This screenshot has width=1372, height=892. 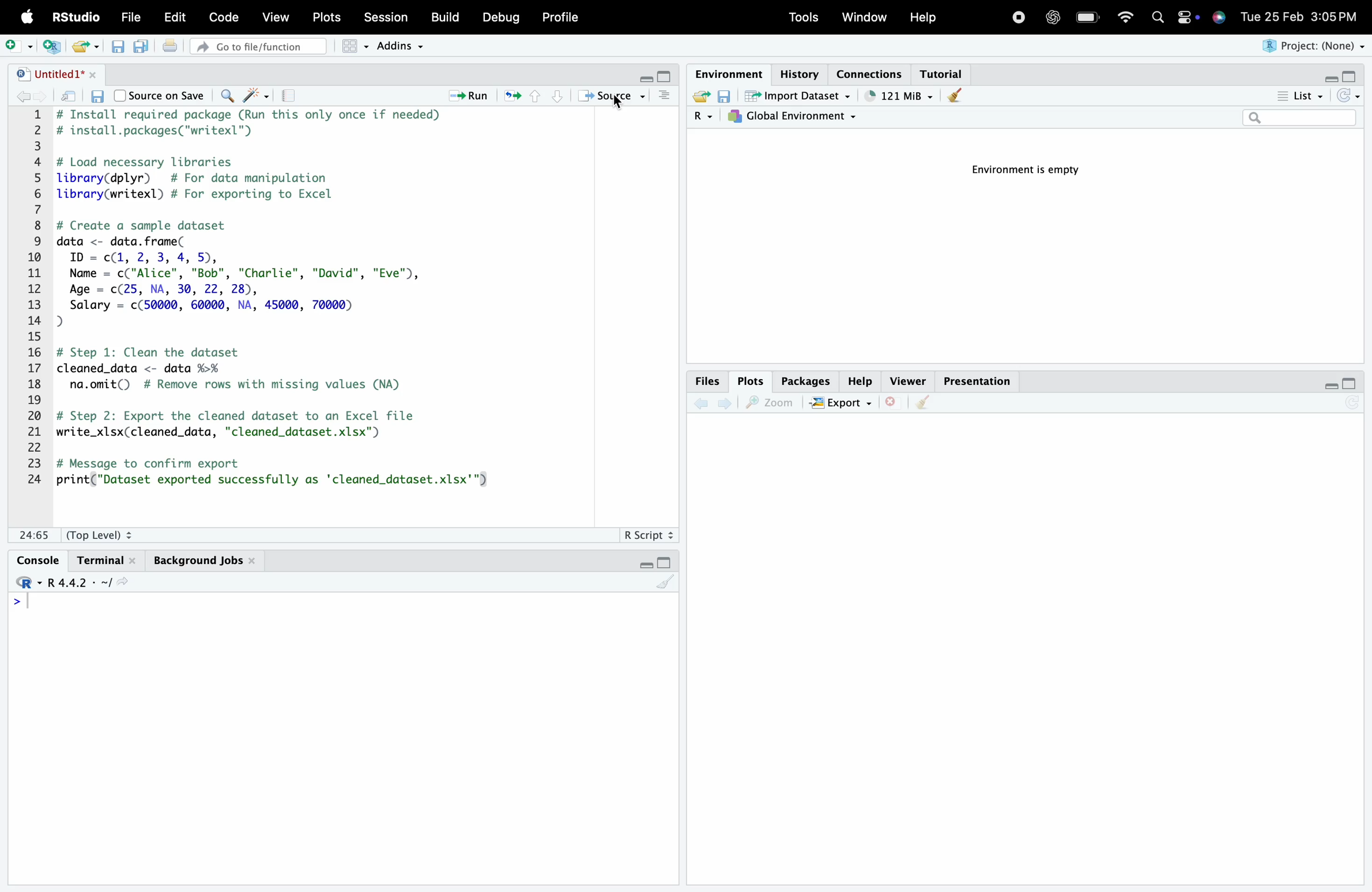 I want to click on Help, so click(x=924, y=17).